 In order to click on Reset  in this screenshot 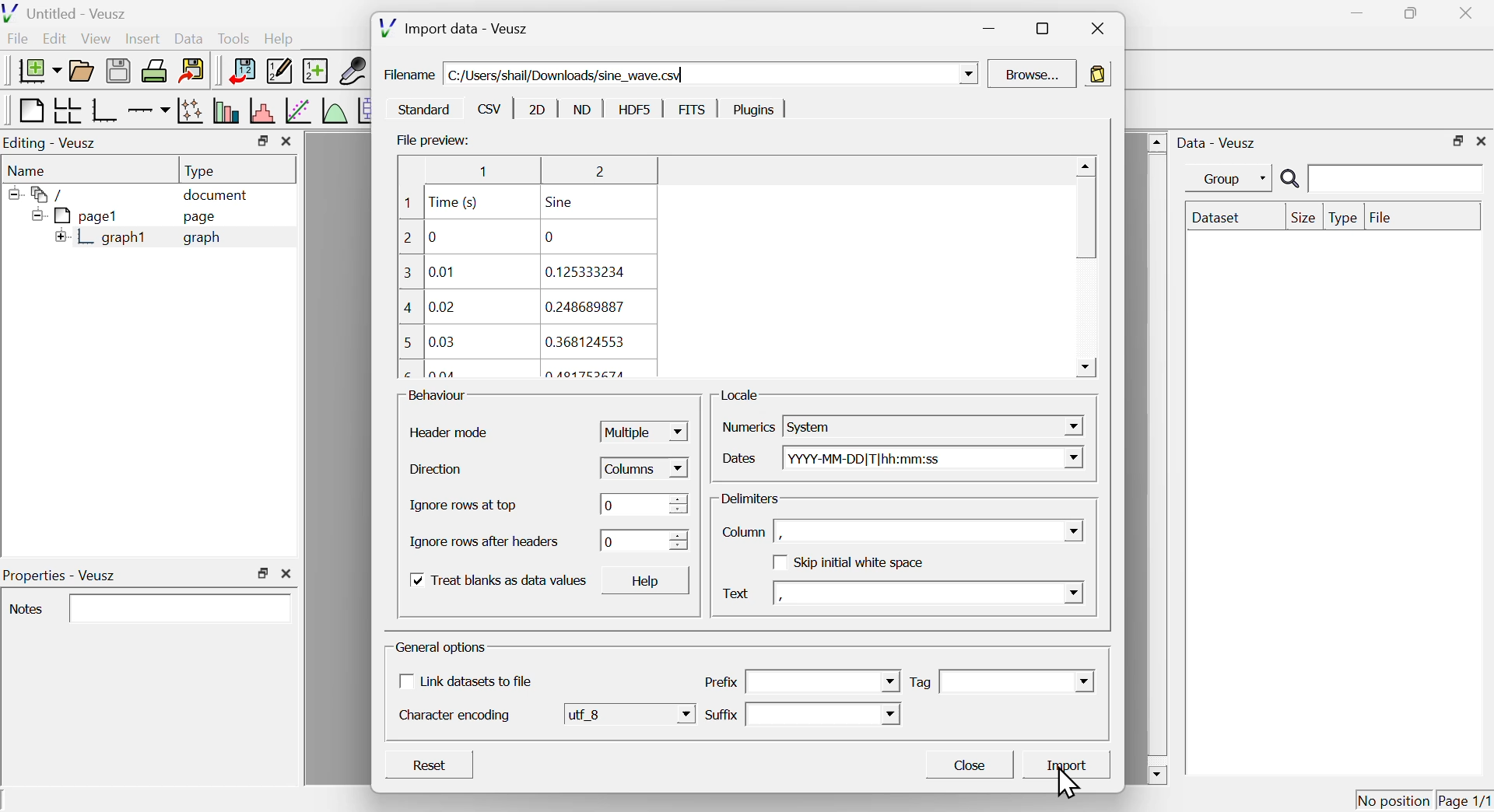, I will do `click(432, 767)`.